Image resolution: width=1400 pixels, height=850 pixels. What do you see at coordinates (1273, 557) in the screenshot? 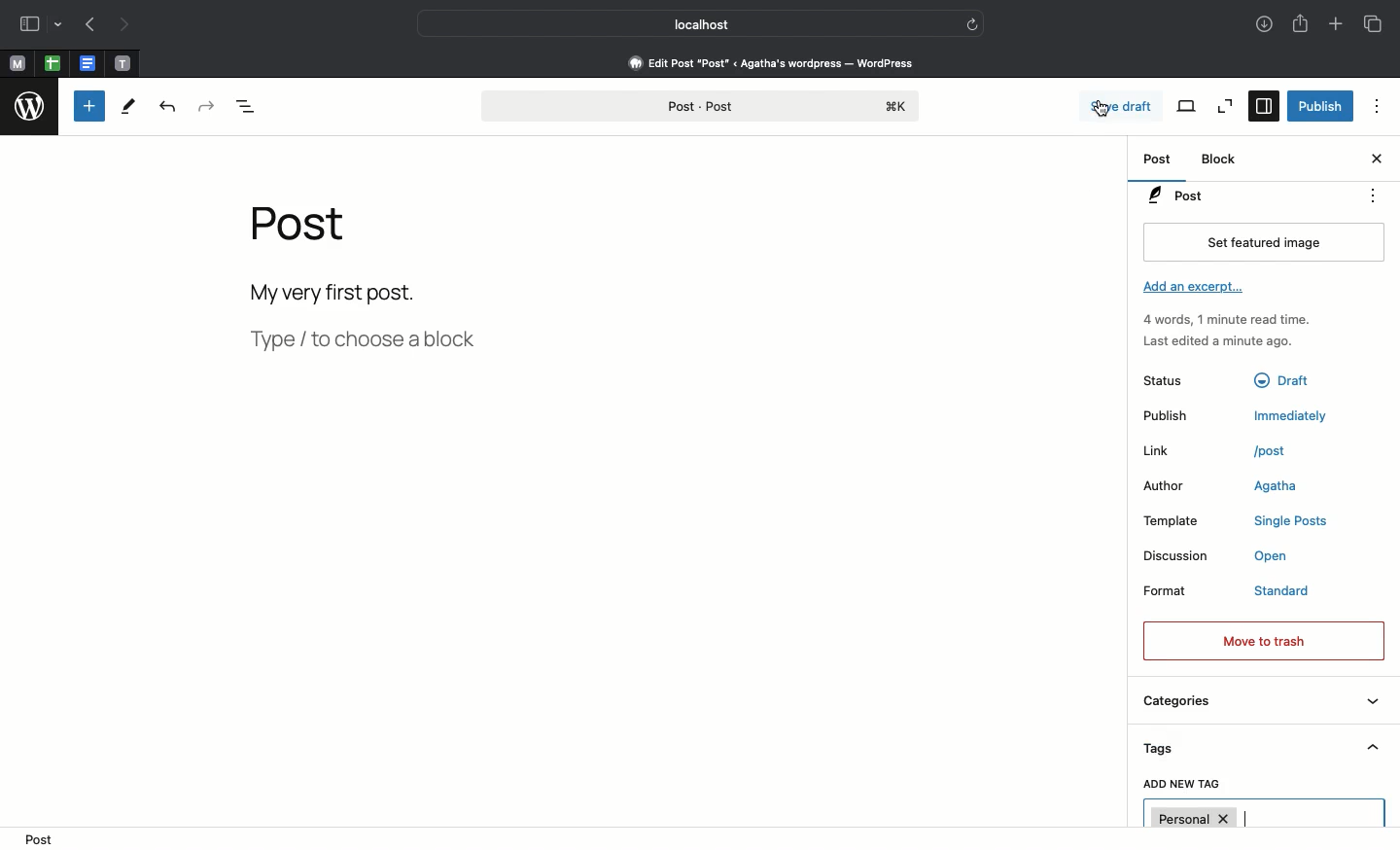
I see `open` at bounding box center [1273, 557].